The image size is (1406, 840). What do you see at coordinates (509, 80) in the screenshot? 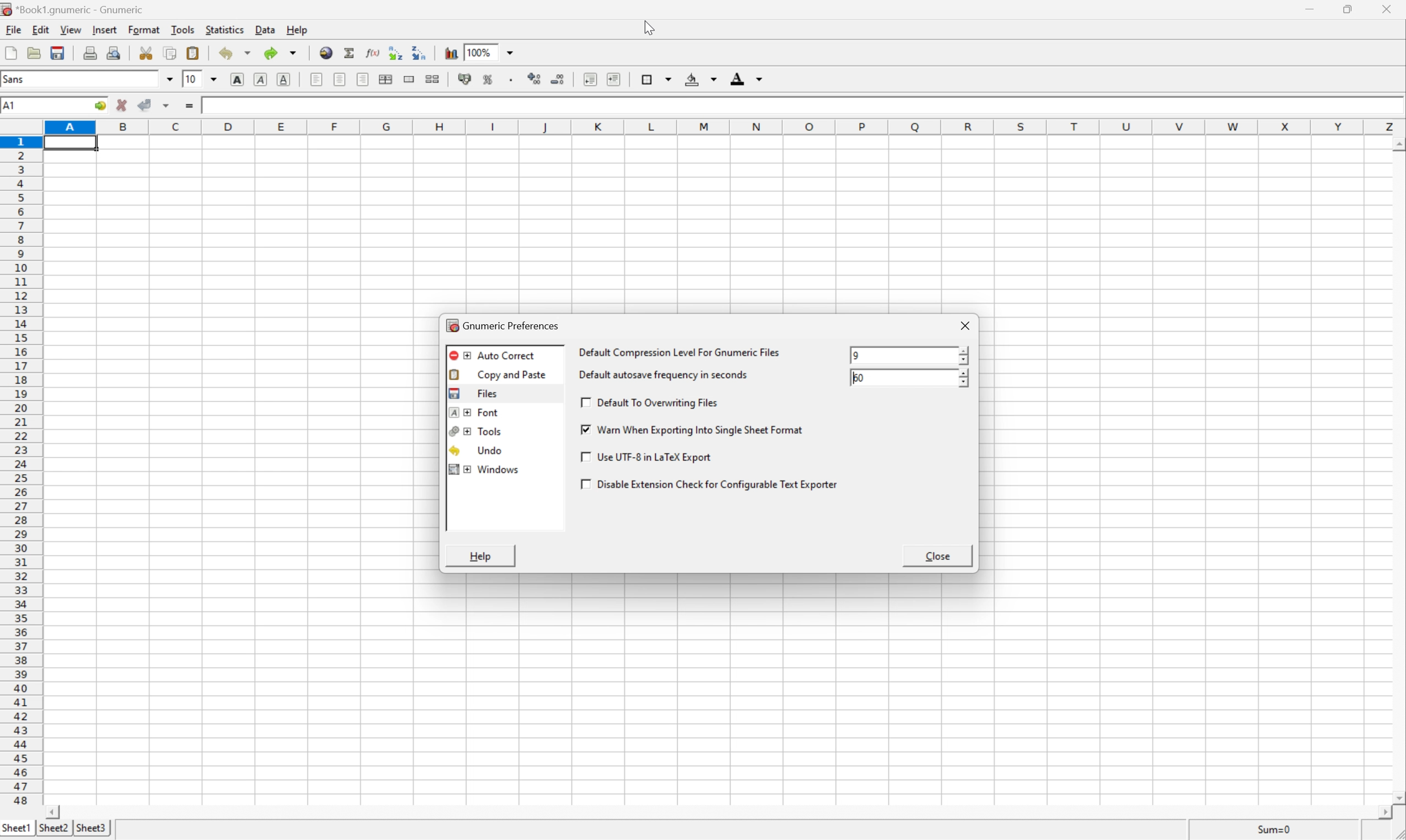
I see `Set the format of the selected cells to include a thousands separator` at bounding box center [509, 80].